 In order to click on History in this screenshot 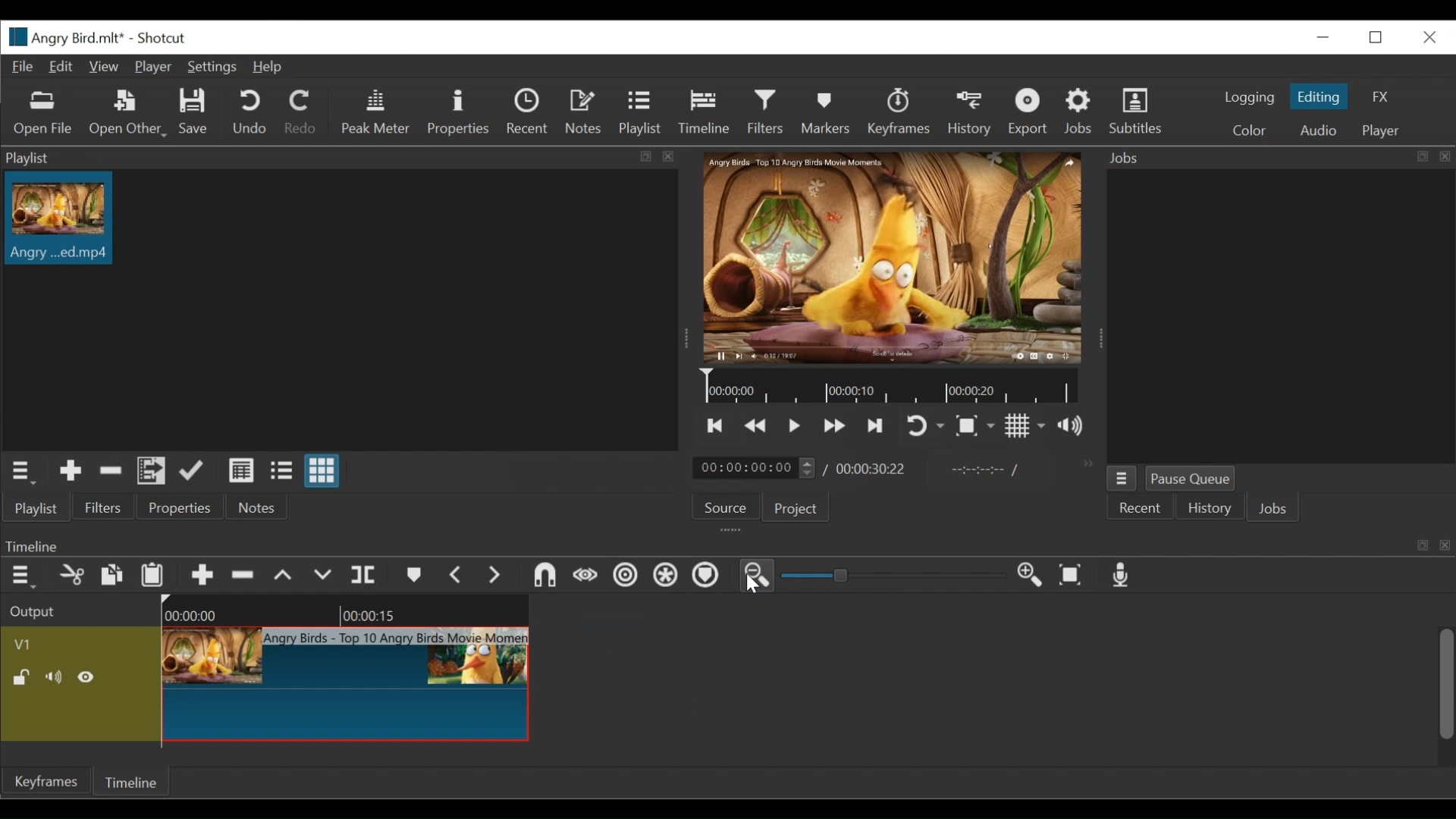, I will do `click(971, 115)`.